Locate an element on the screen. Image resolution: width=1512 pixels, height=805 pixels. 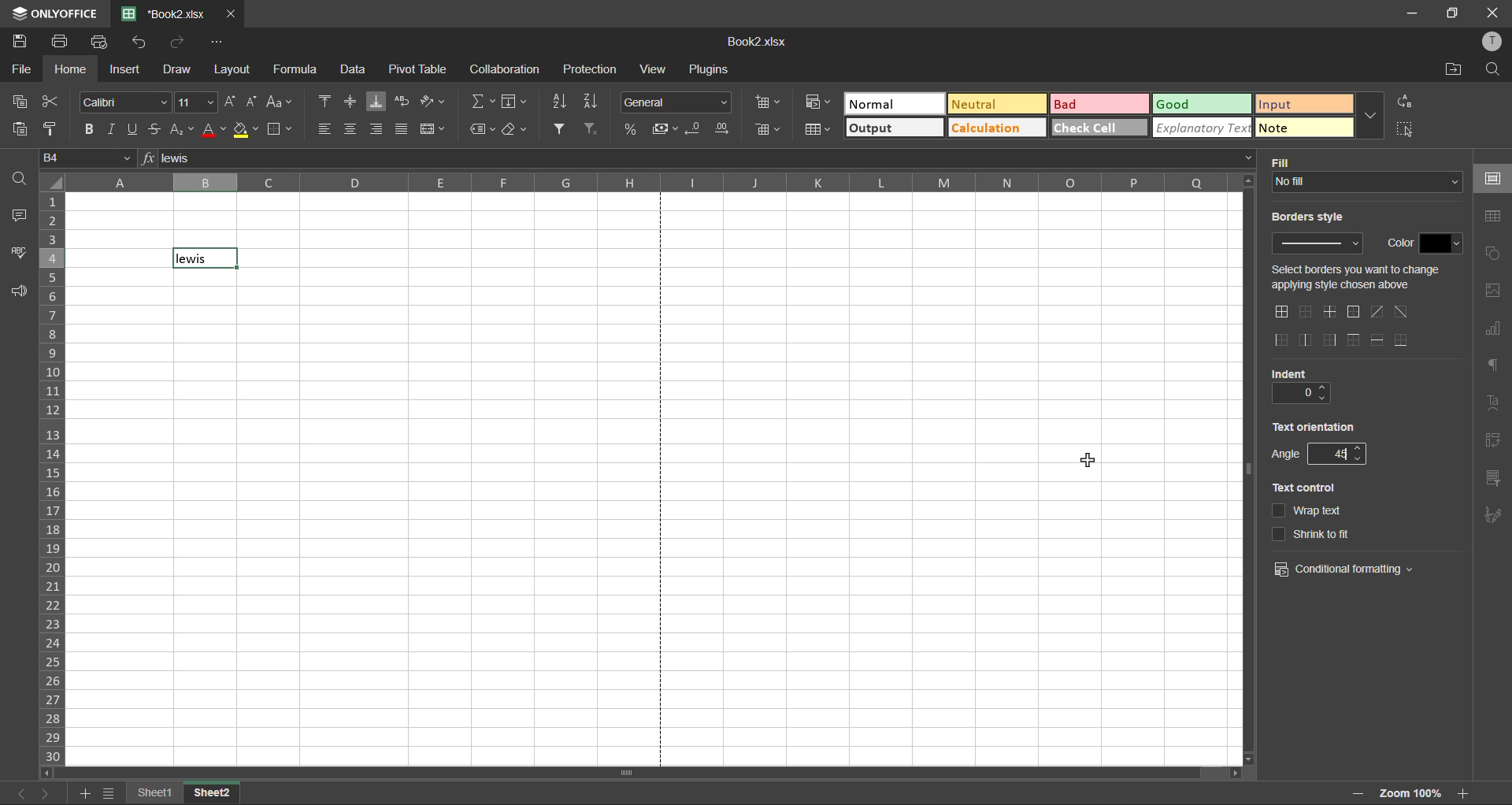
delete cells is located at coordinates (768, 131).